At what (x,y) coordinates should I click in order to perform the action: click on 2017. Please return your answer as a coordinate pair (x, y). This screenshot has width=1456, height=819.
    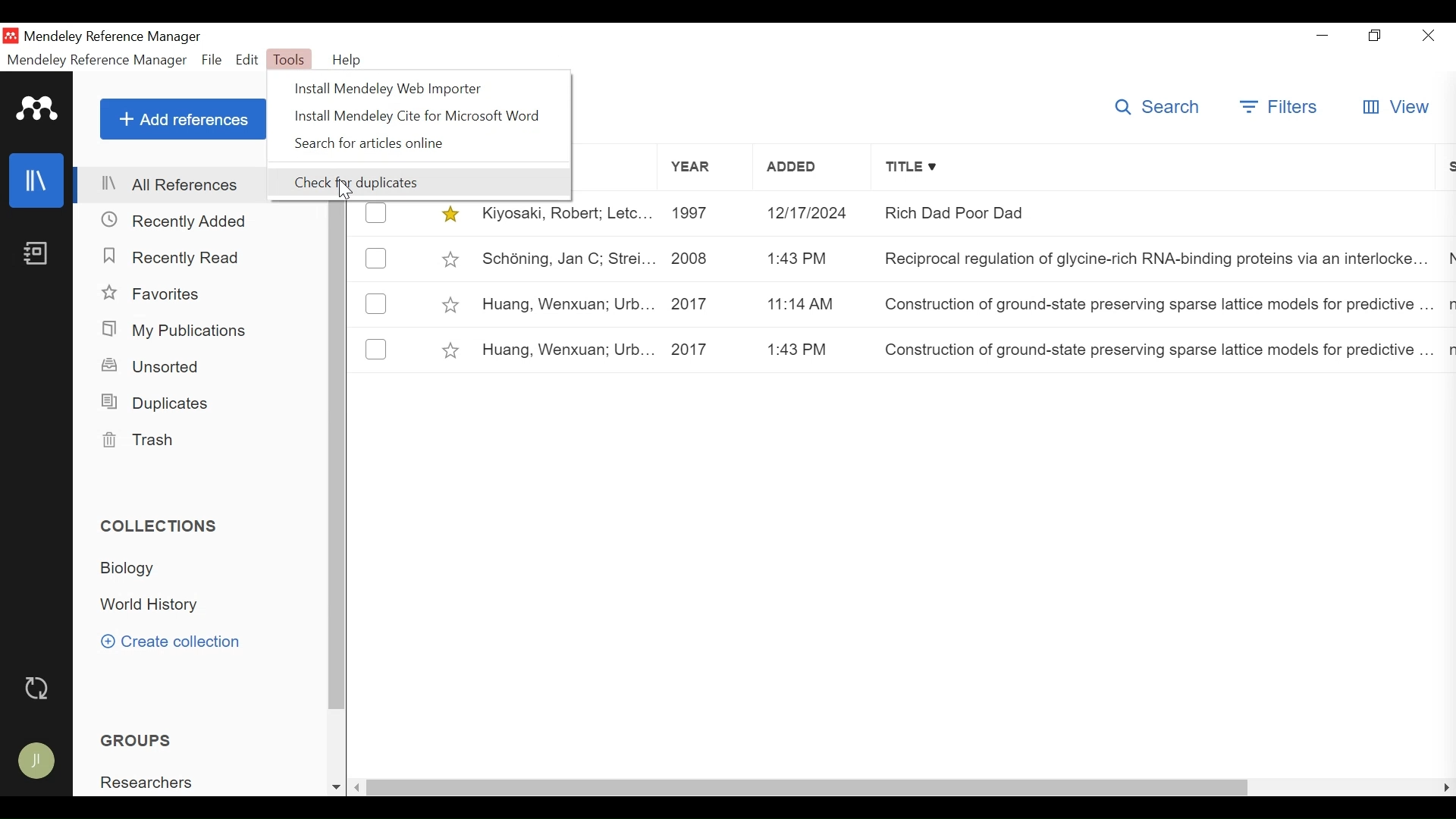
    Looking at the image, I should click on (708, 306).